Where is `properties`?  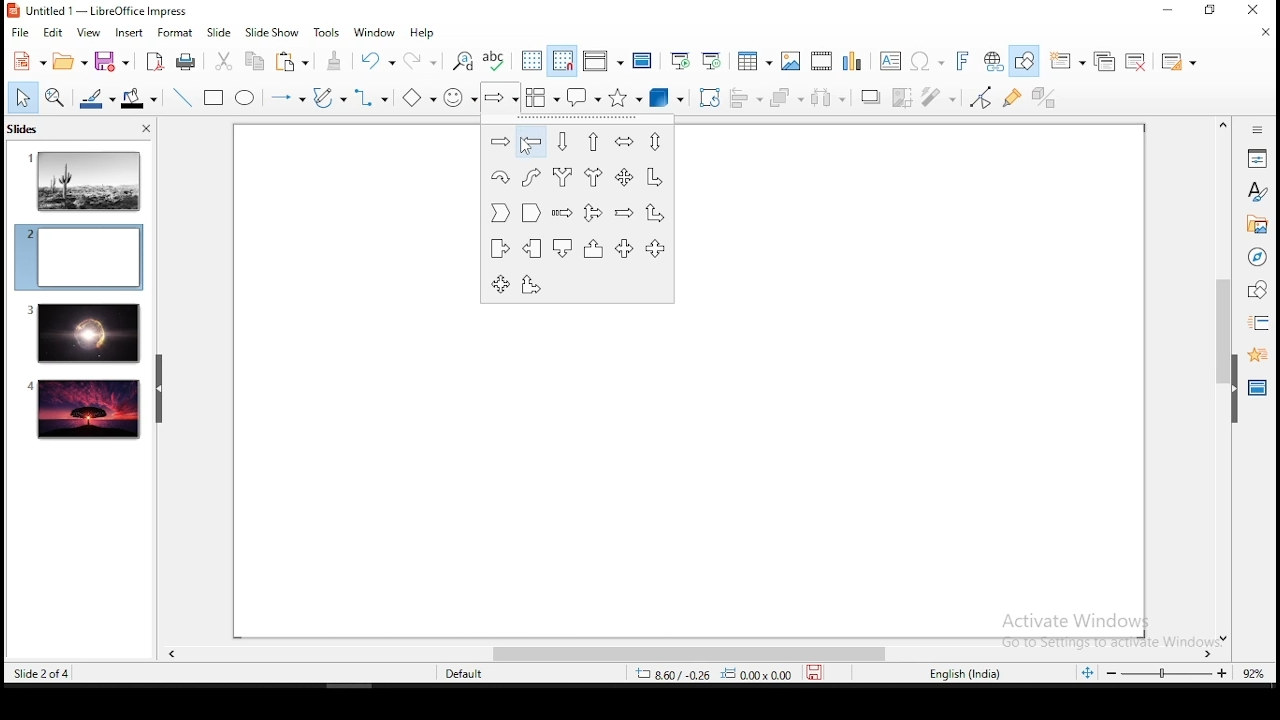
properties is located at coordinates (1257, 157).